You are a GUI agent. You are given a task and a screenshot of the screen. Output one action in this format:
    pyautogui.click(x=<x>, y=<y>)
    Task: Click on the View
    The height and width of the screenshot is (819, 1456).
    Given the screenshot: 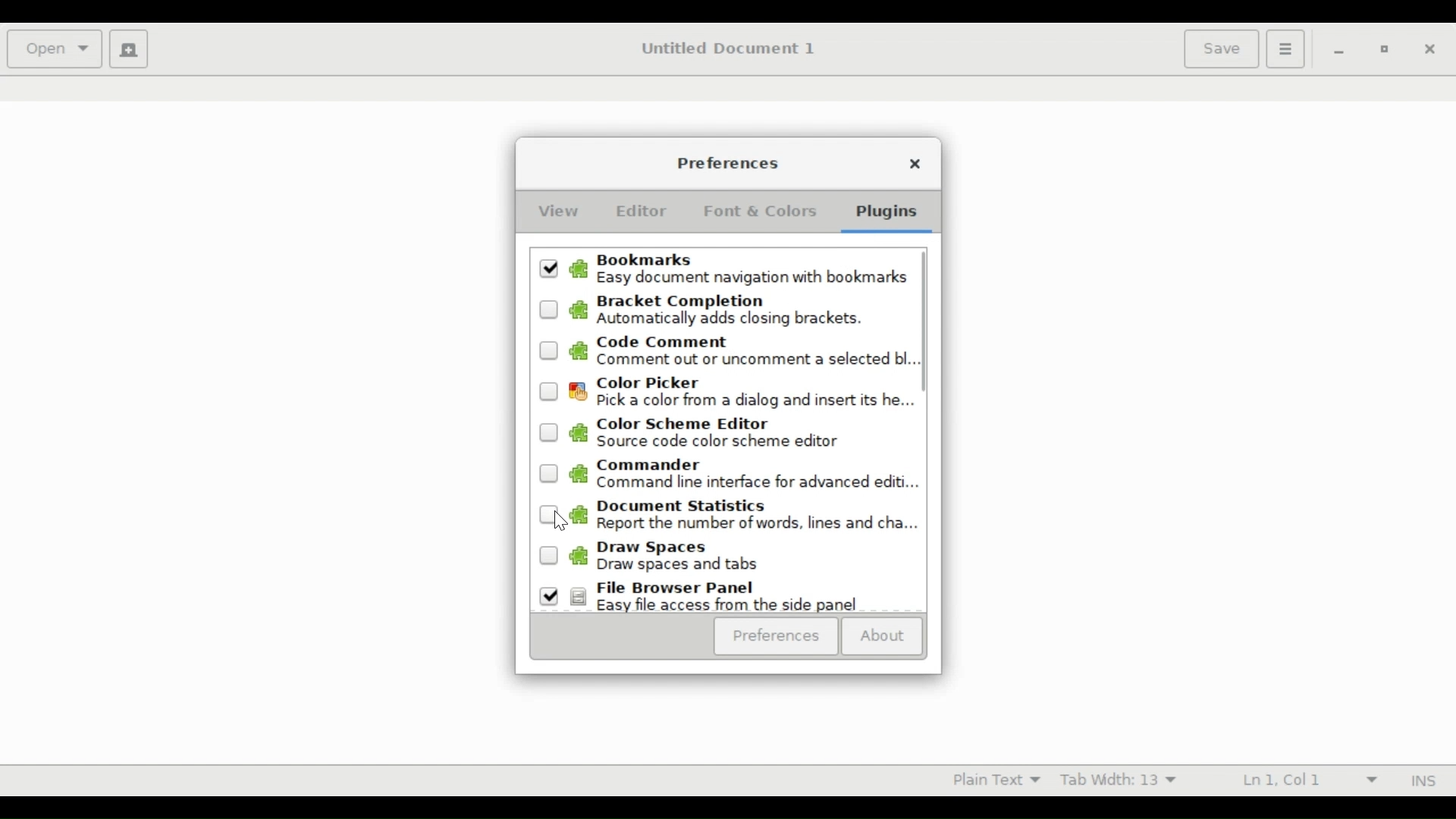 What is the action you would take?
    pyautogui.click(x=554, y=212)
    